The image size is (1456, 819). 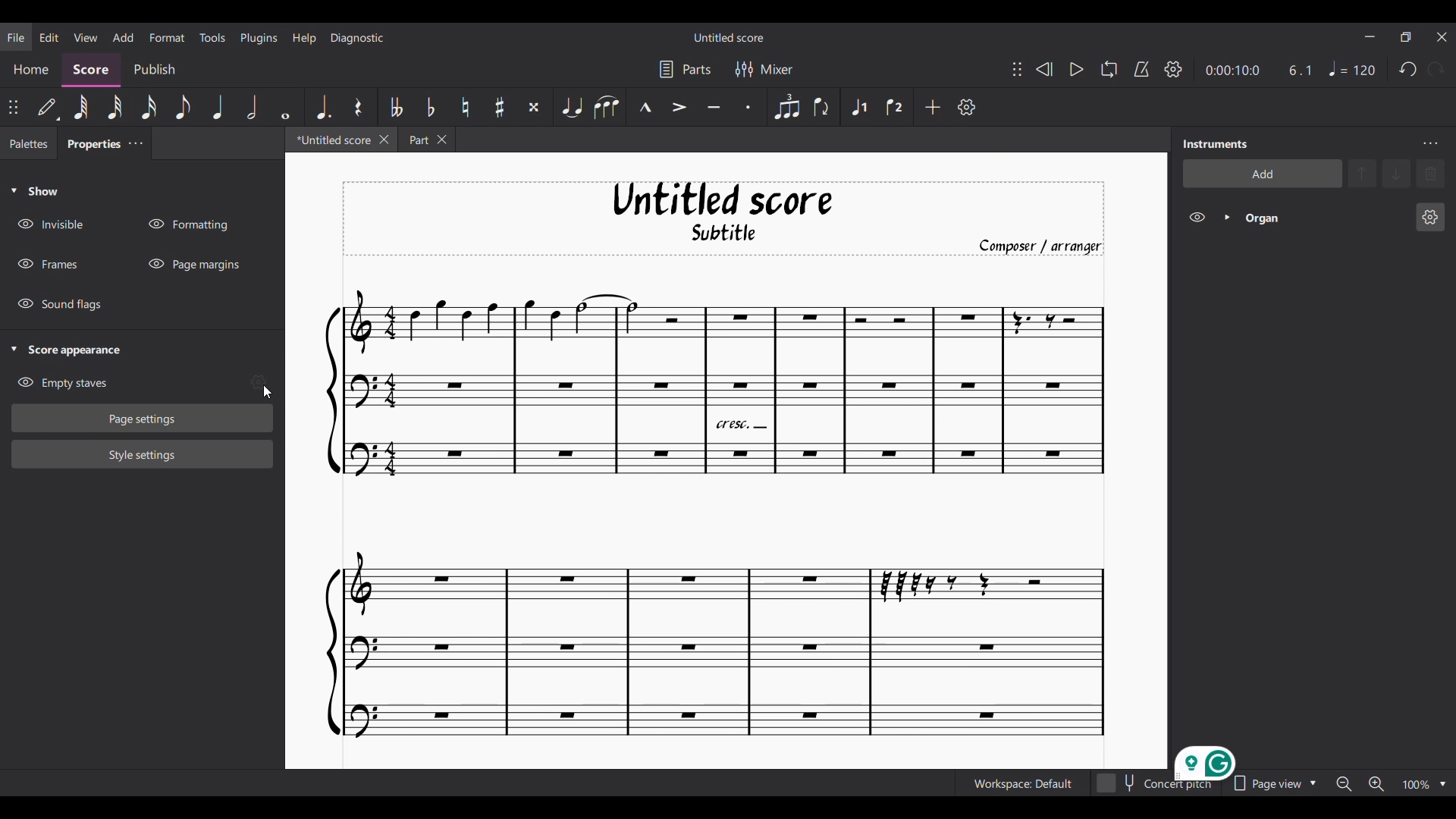 I want to click on Home section, so click(x=30, y=71).